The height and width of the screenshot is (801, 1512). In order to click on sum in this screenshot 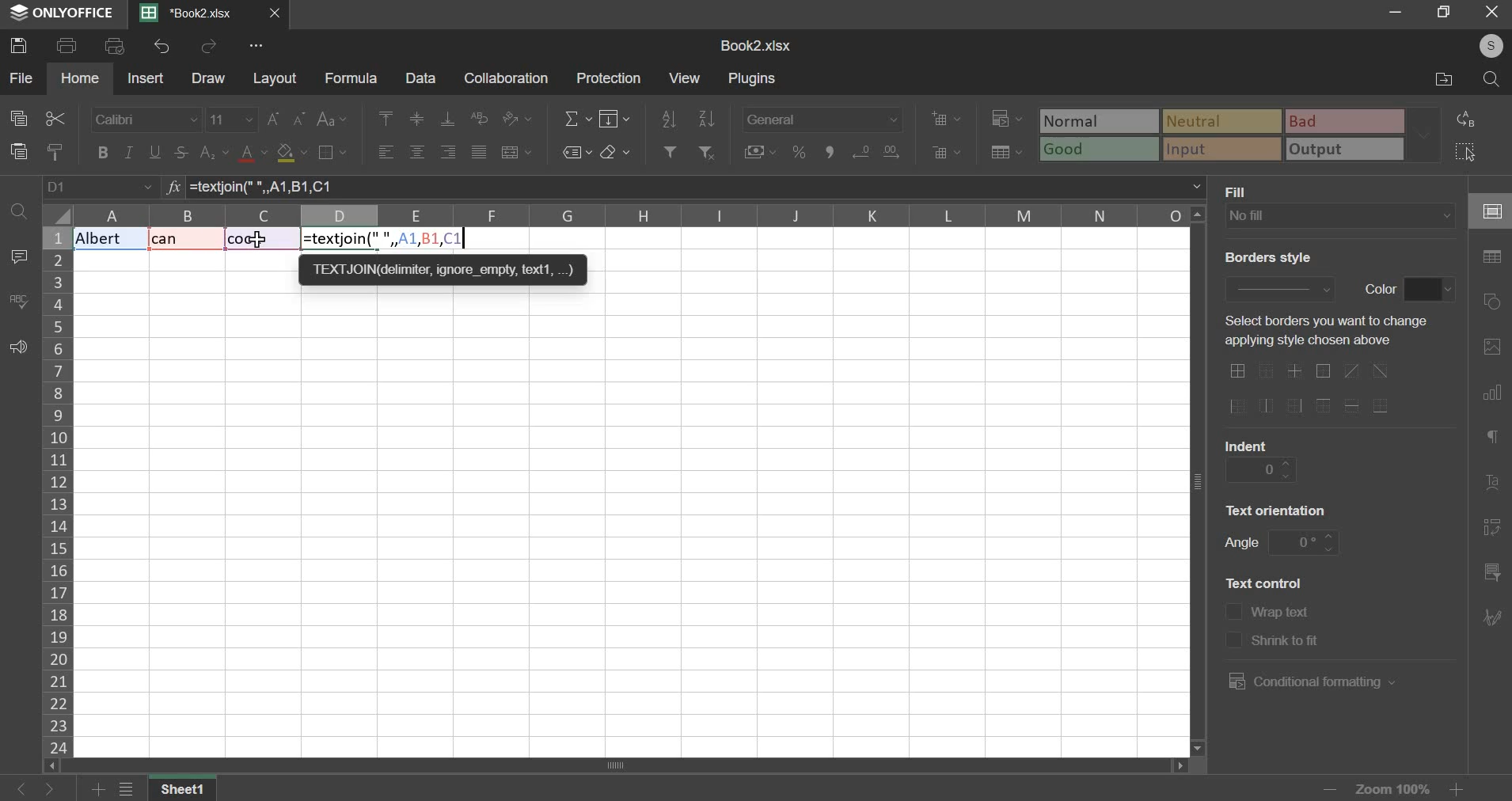, I will do `click(578, 117)`.